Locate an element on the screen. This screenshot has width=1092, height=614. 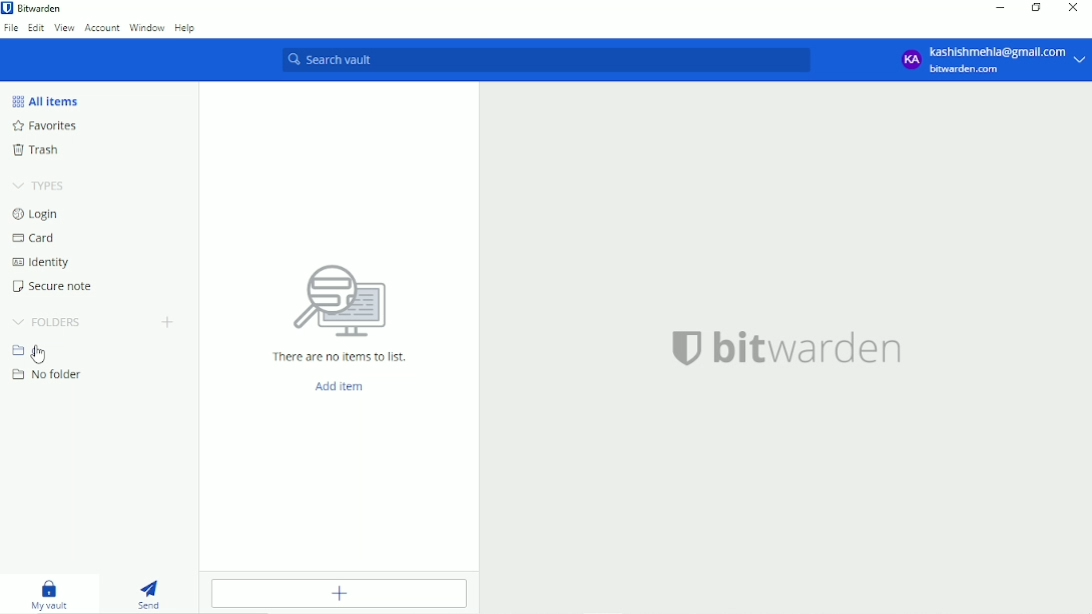
Account is located at coordinates (991, 60).